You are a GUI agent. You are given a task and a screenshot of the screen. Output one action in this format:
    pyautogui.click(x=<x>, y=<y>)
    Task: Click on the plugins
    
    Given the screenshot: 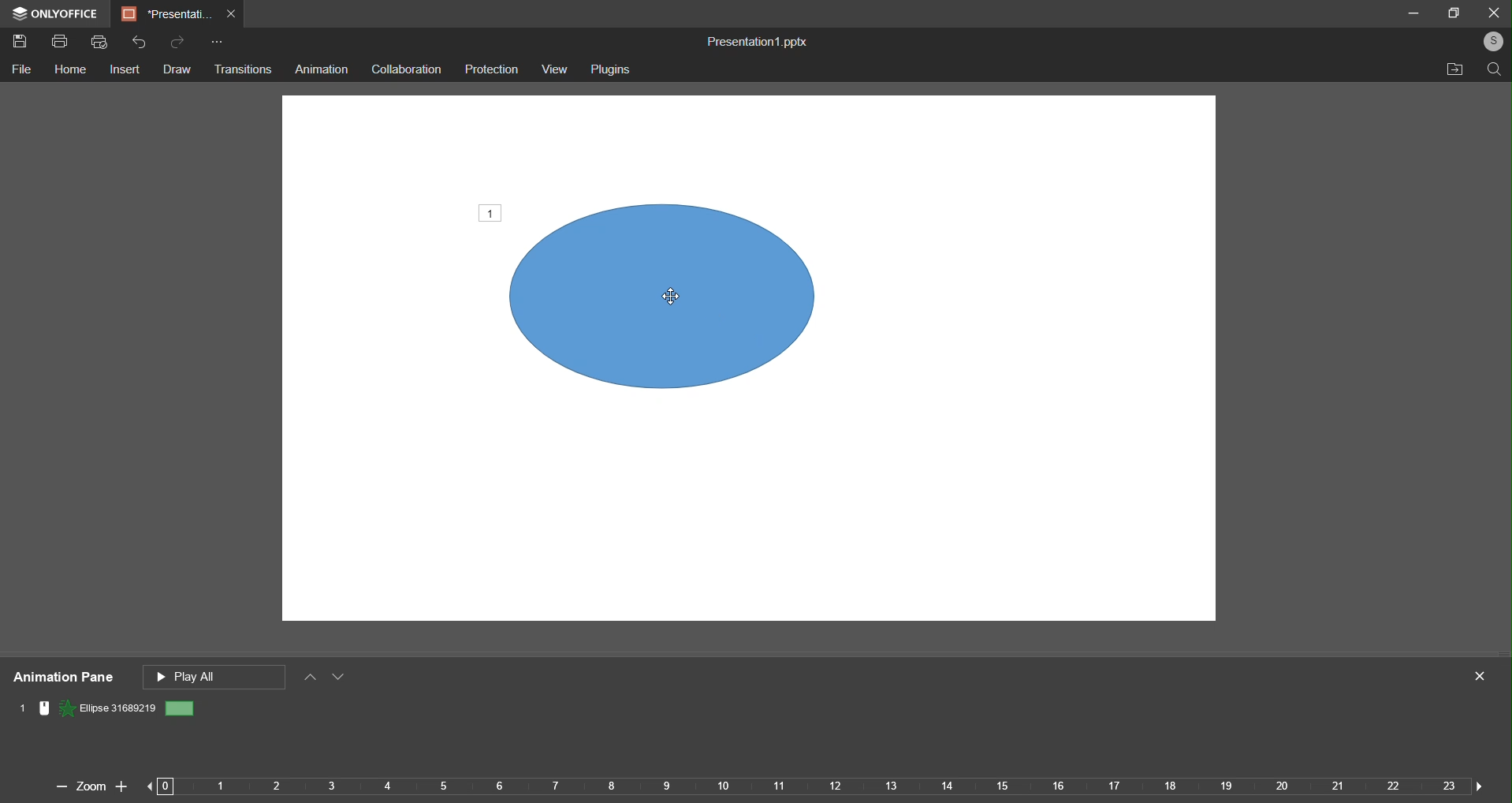 What is the action you would take?
    pyautogui.click(x=609, y=69)
    